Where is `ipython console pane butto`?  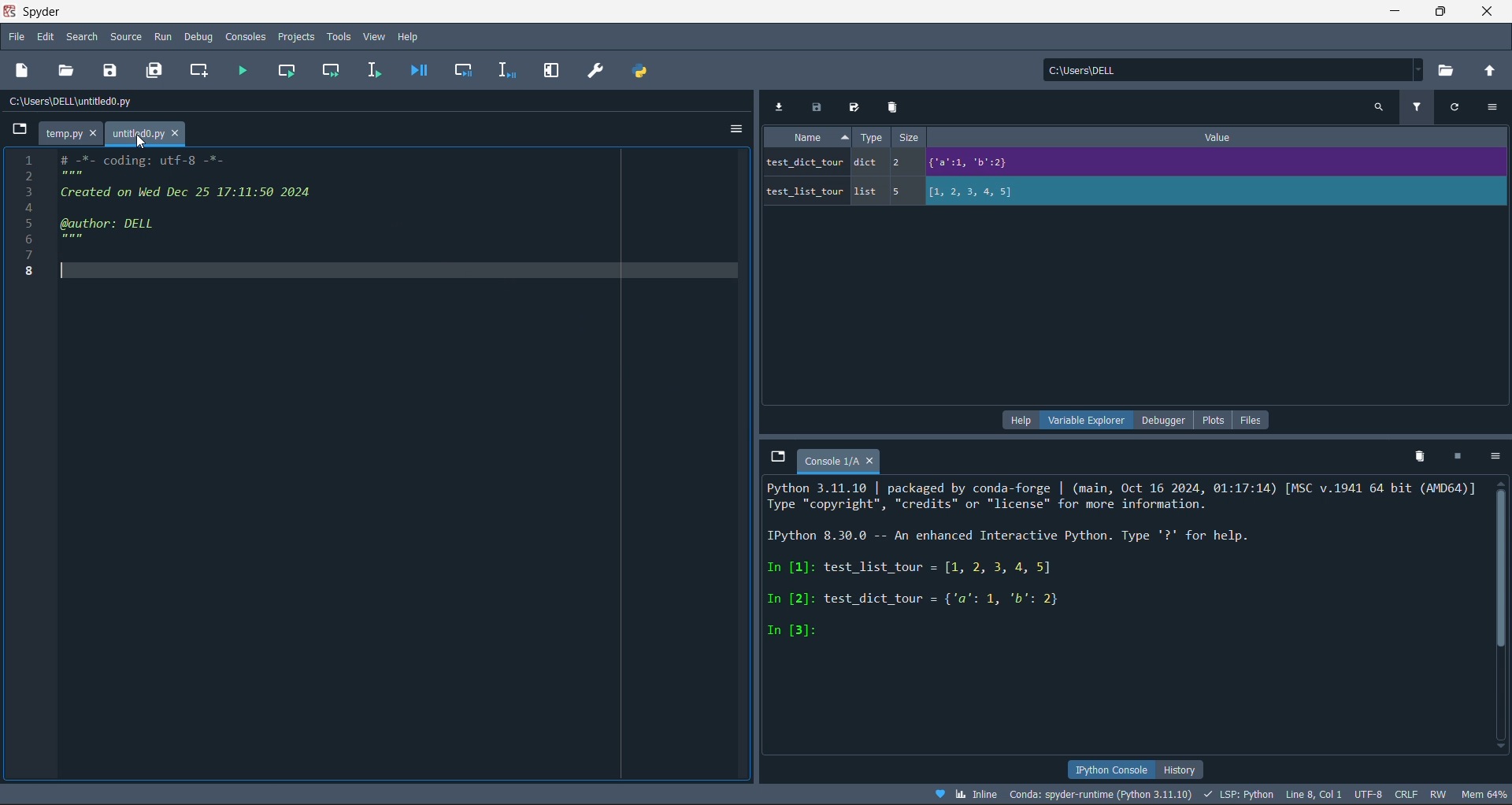 ipython console pane butto is located at coordinates (1110, 770).